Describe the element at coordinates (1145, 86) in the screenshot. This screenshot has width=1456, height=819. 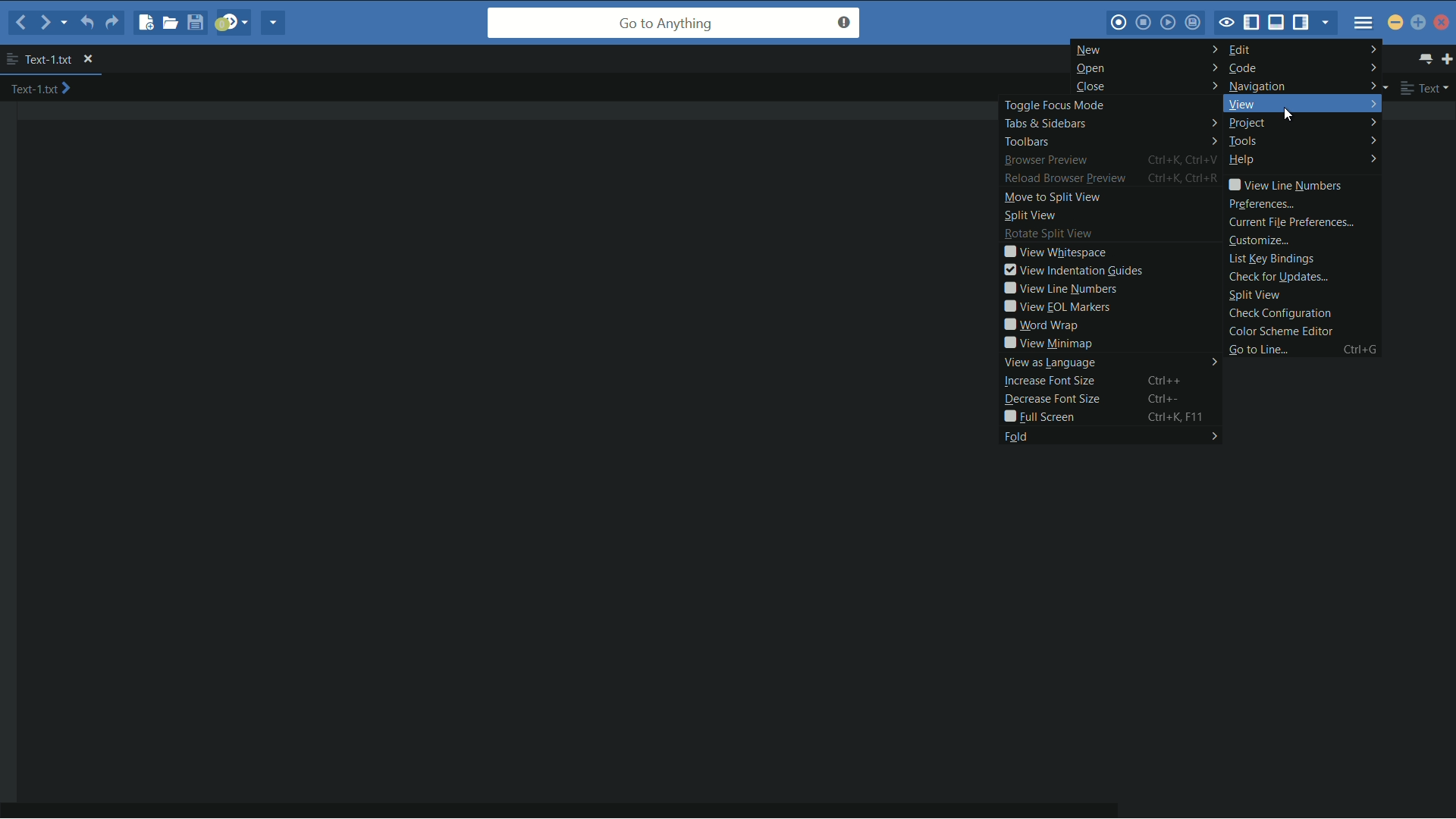
I see `close` at that location.